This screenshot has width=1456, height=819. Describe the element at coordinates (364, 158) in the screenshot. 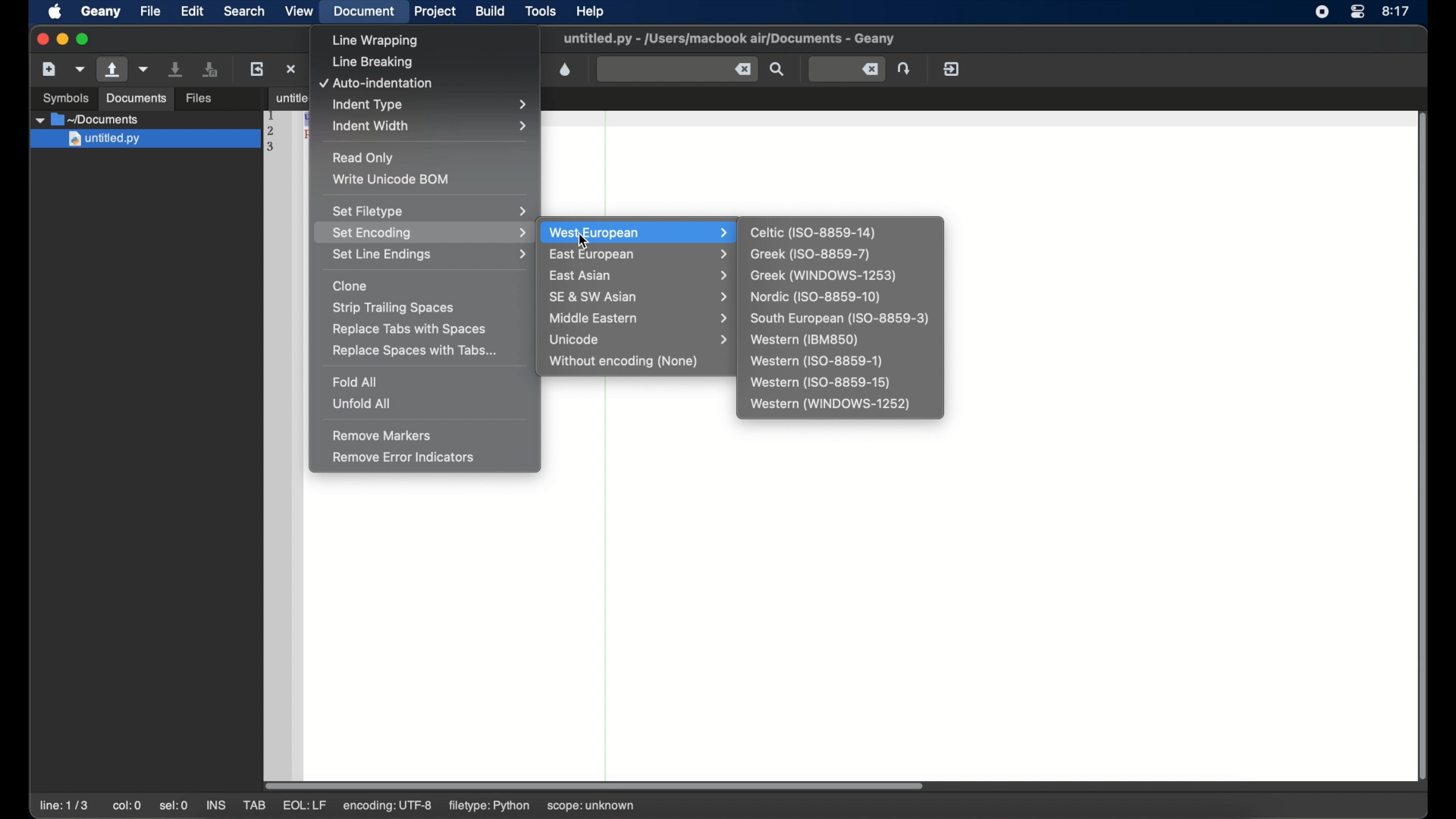

I see `read only` at that location.